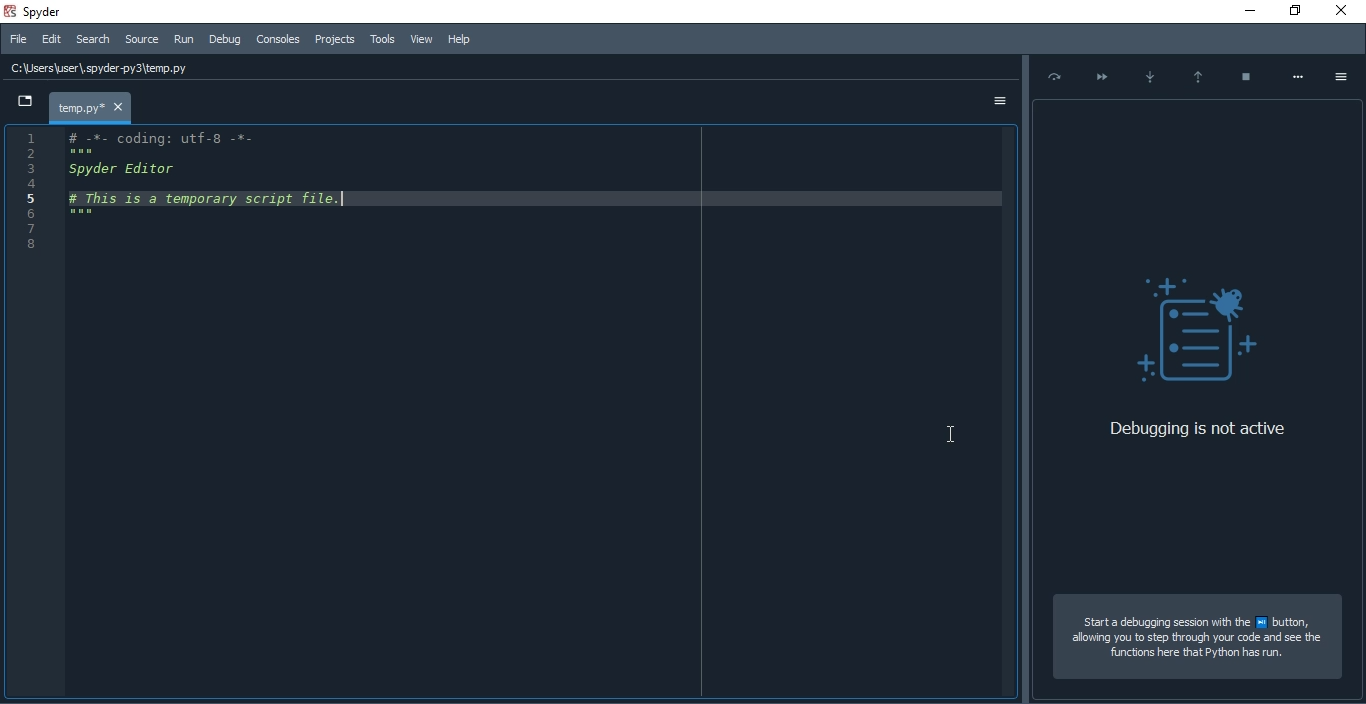 Image resolution: width=1366 pixels, height=704 pixels. I want to click on close, so click(1346, 11).